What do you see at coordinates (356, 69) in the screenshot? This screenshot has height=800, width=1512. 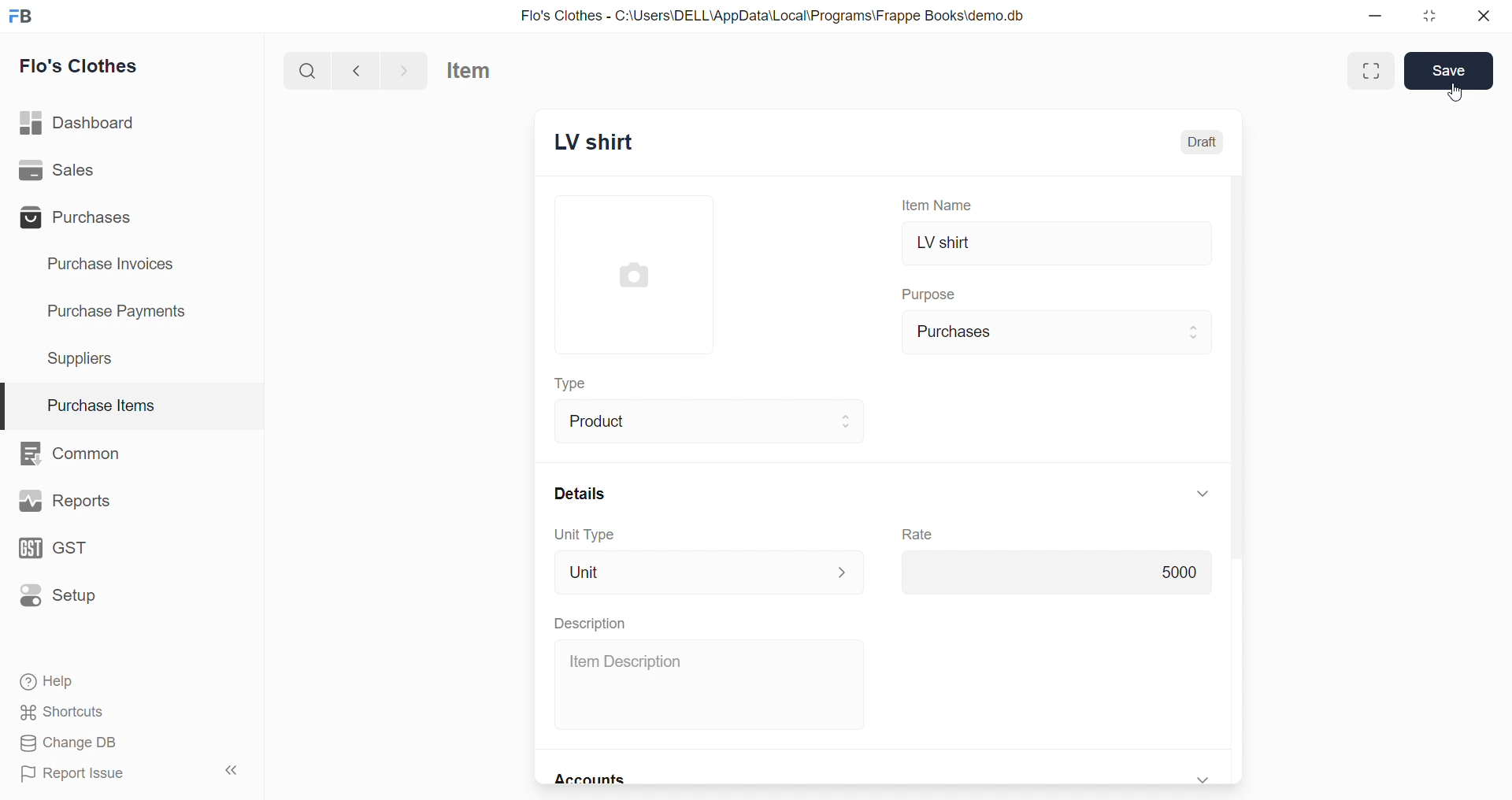 I see `navigate backward` at bounding box center [356, 69].